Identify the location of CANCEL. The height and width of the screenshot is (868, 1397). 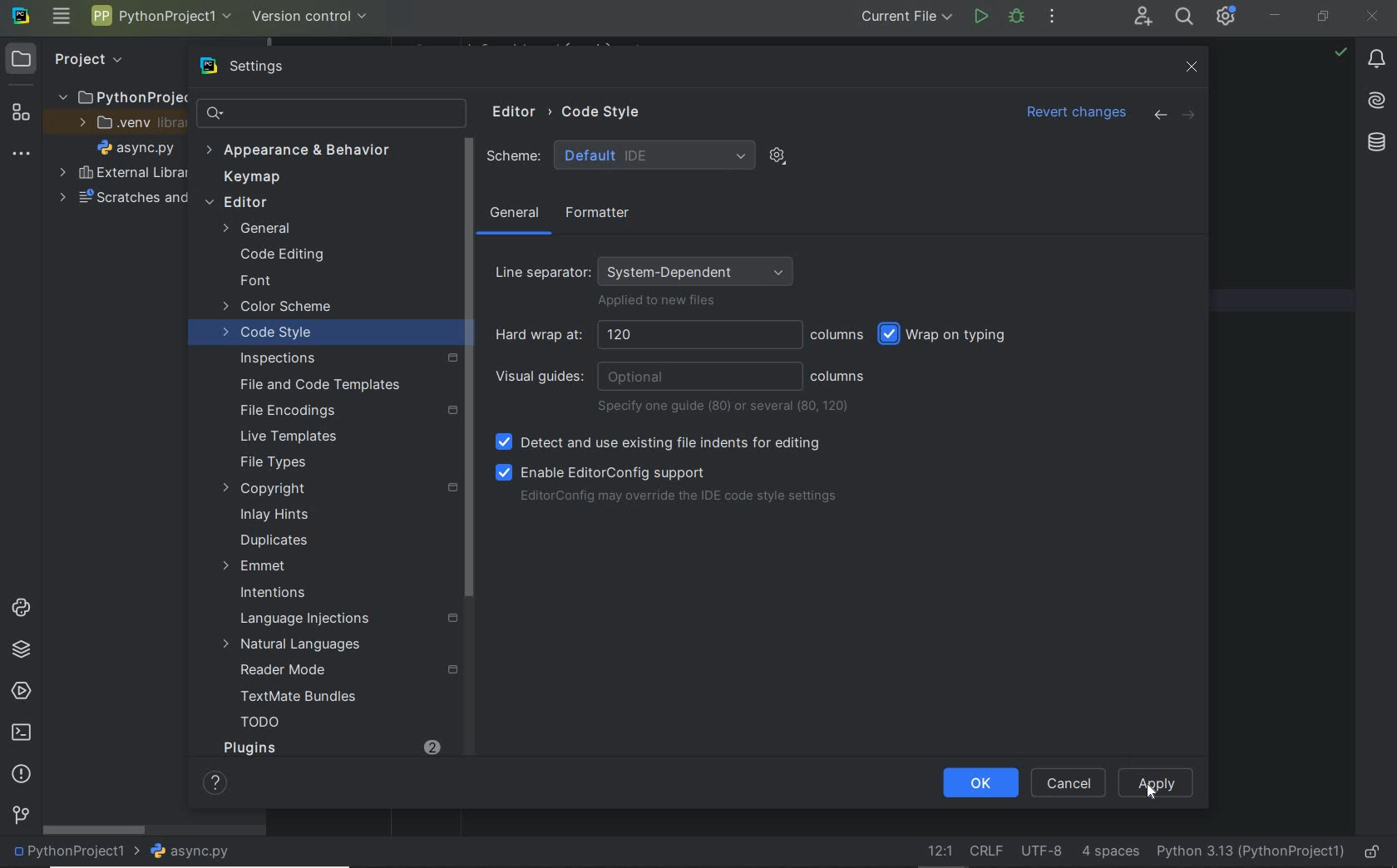
(1066, 782).